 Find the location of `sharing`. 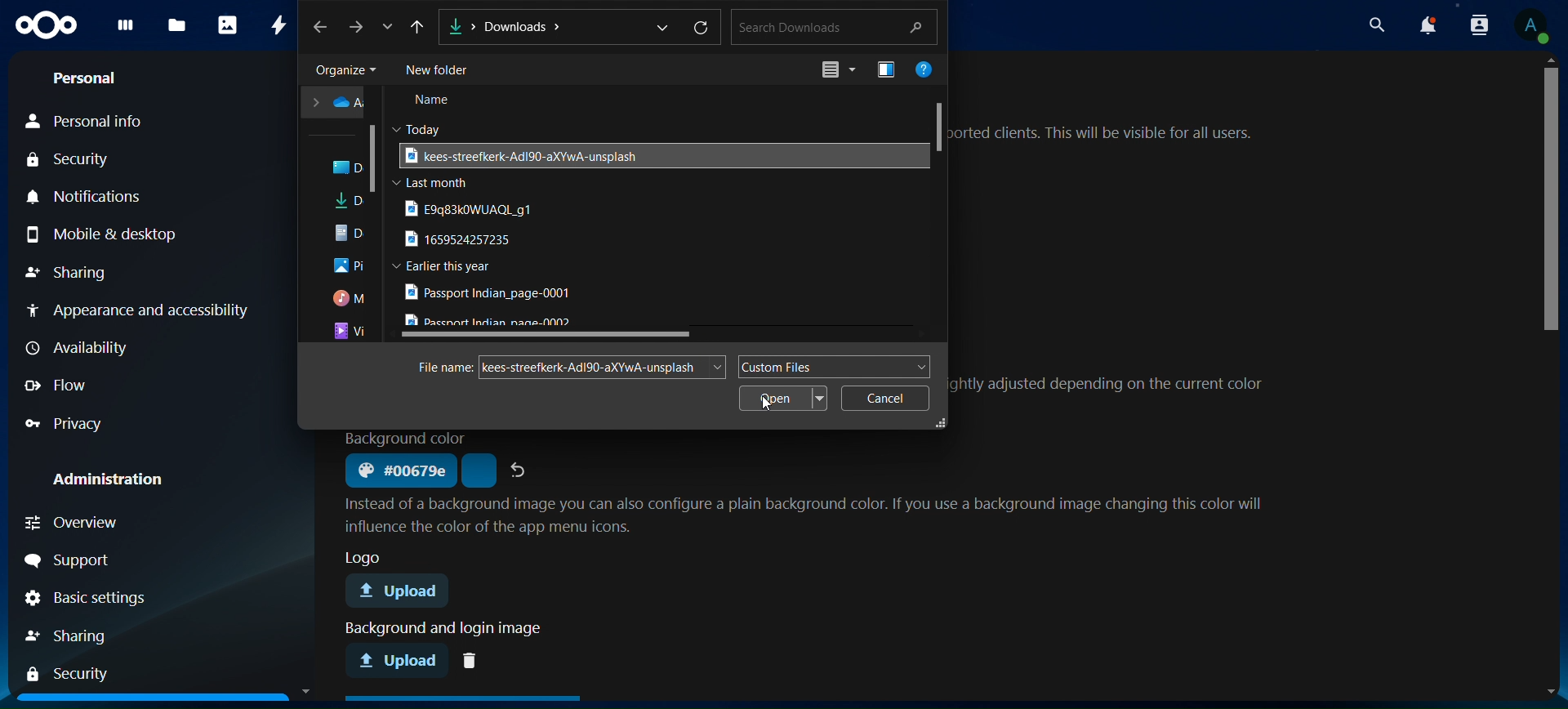

sharing is located at coordinates (78, 272).